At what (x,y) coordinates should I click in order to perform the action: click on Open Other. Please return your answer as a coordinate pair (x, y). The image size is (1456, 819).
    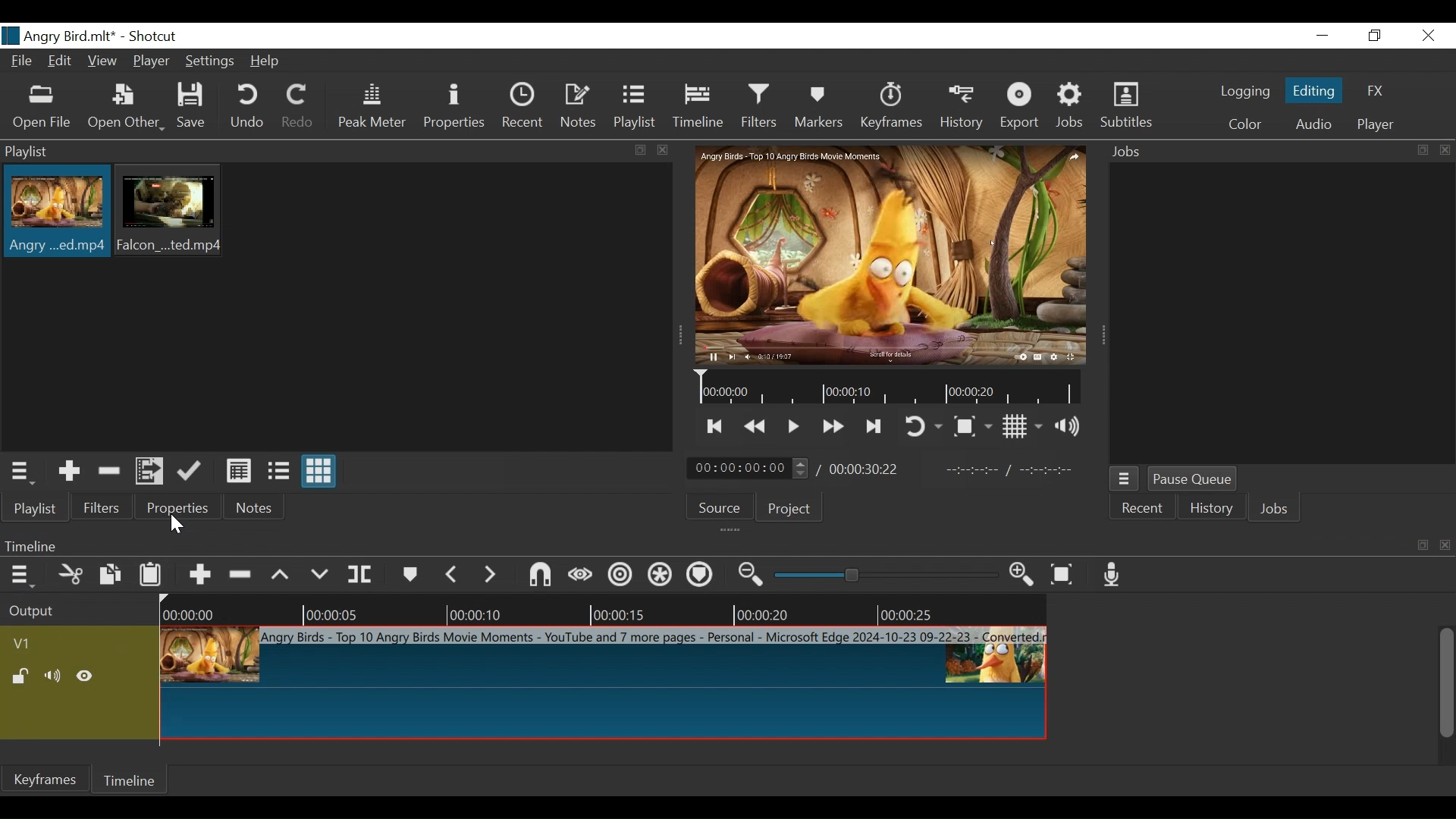
    Looking at the image, I should click on (125, 109).